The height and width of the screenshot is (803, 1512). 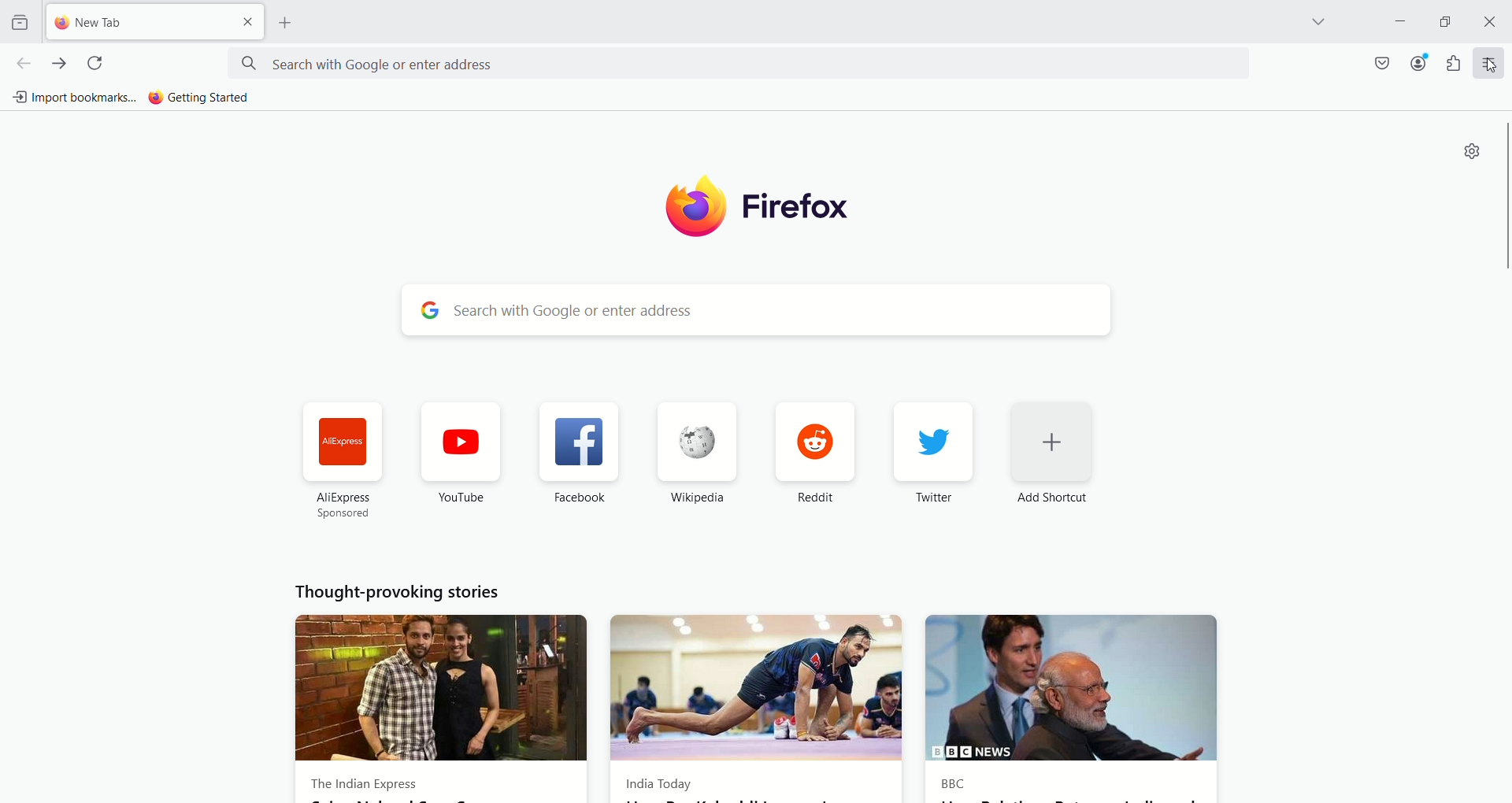 I want to click on AliExpress, so click(x=344, y=465).